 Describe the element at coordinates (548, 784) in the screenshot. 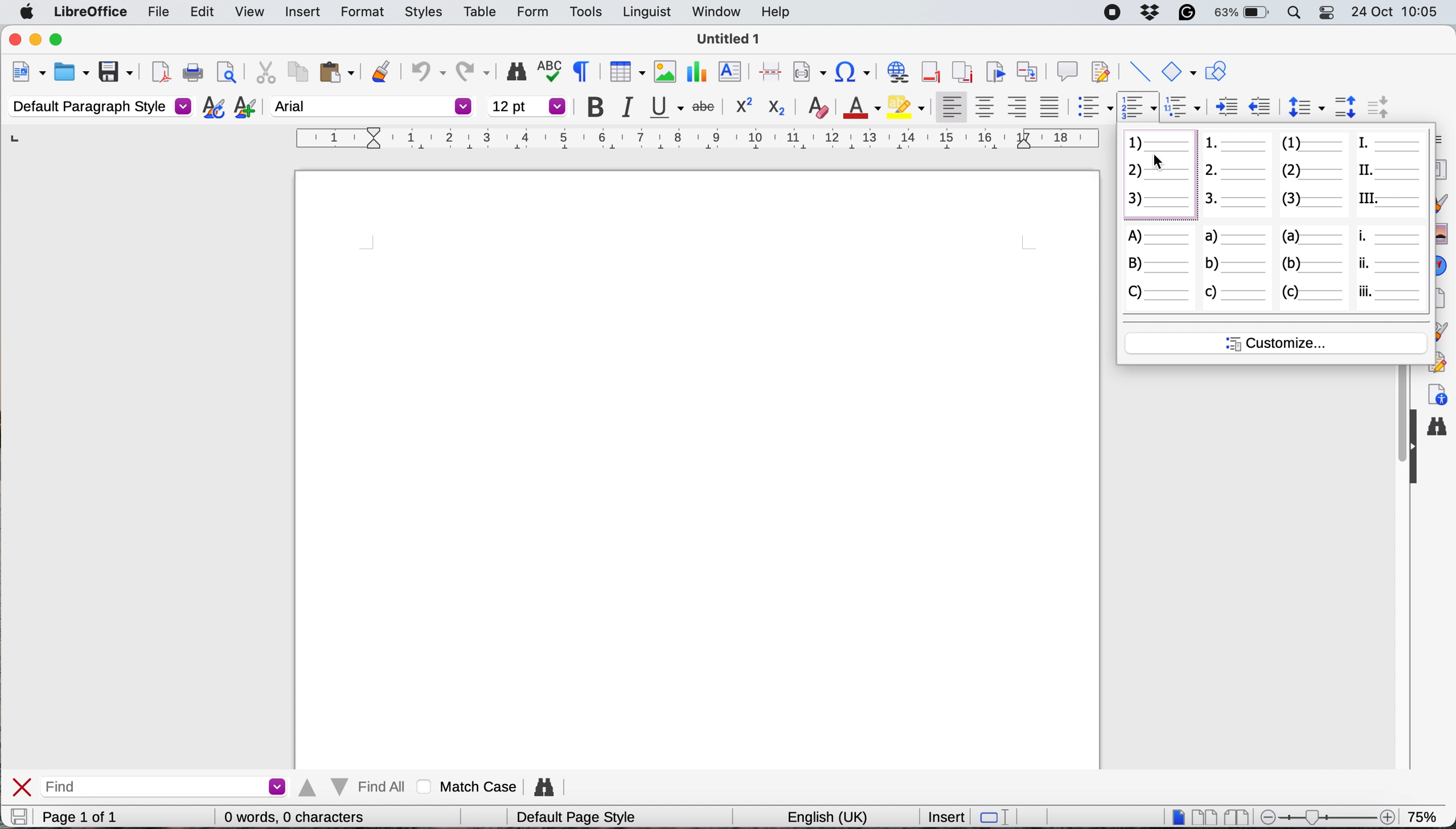

I see `find and replace` at that location.